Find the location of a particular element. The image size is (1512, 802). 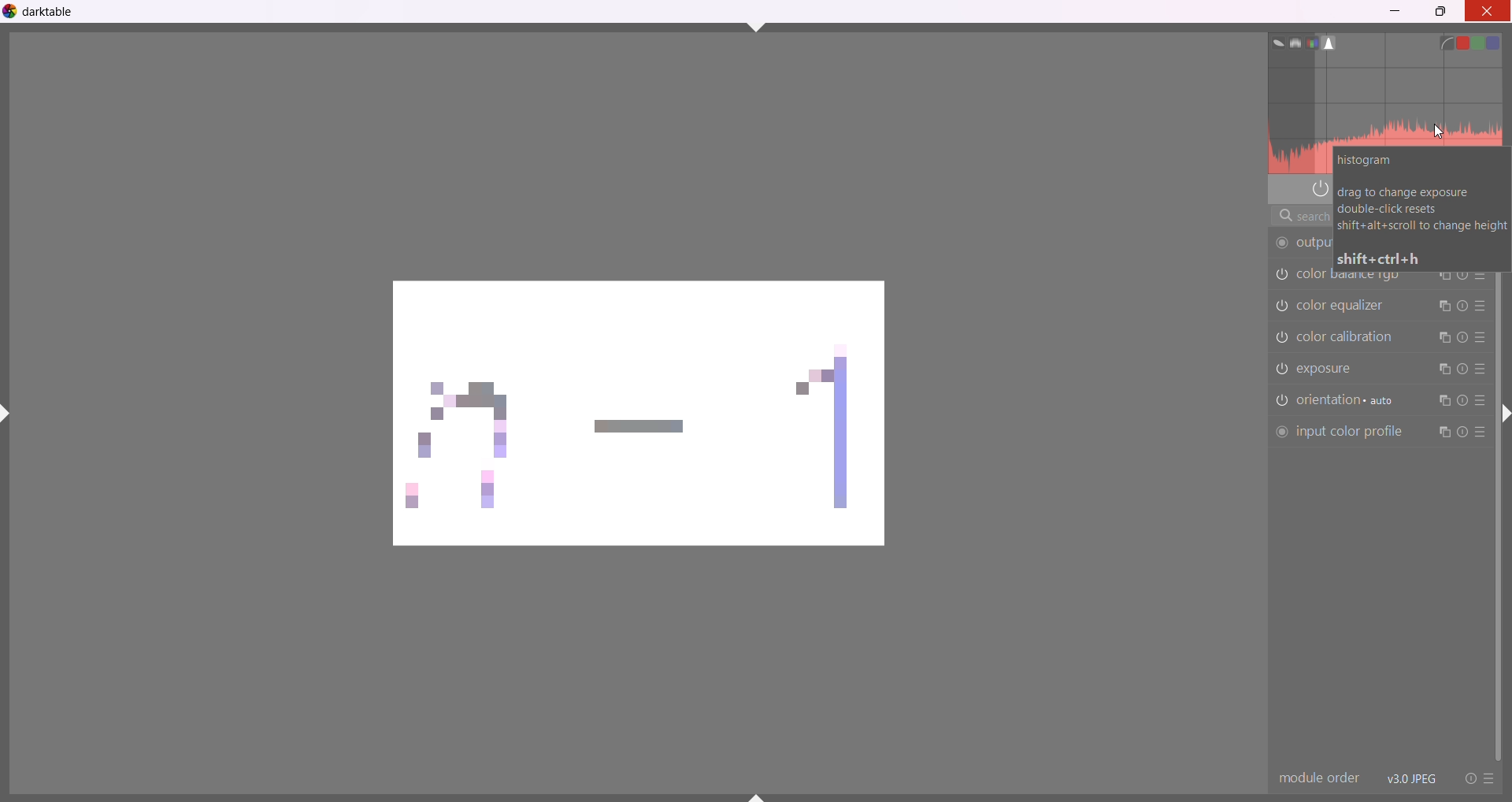

instance is located at coordinates (1442, 433).